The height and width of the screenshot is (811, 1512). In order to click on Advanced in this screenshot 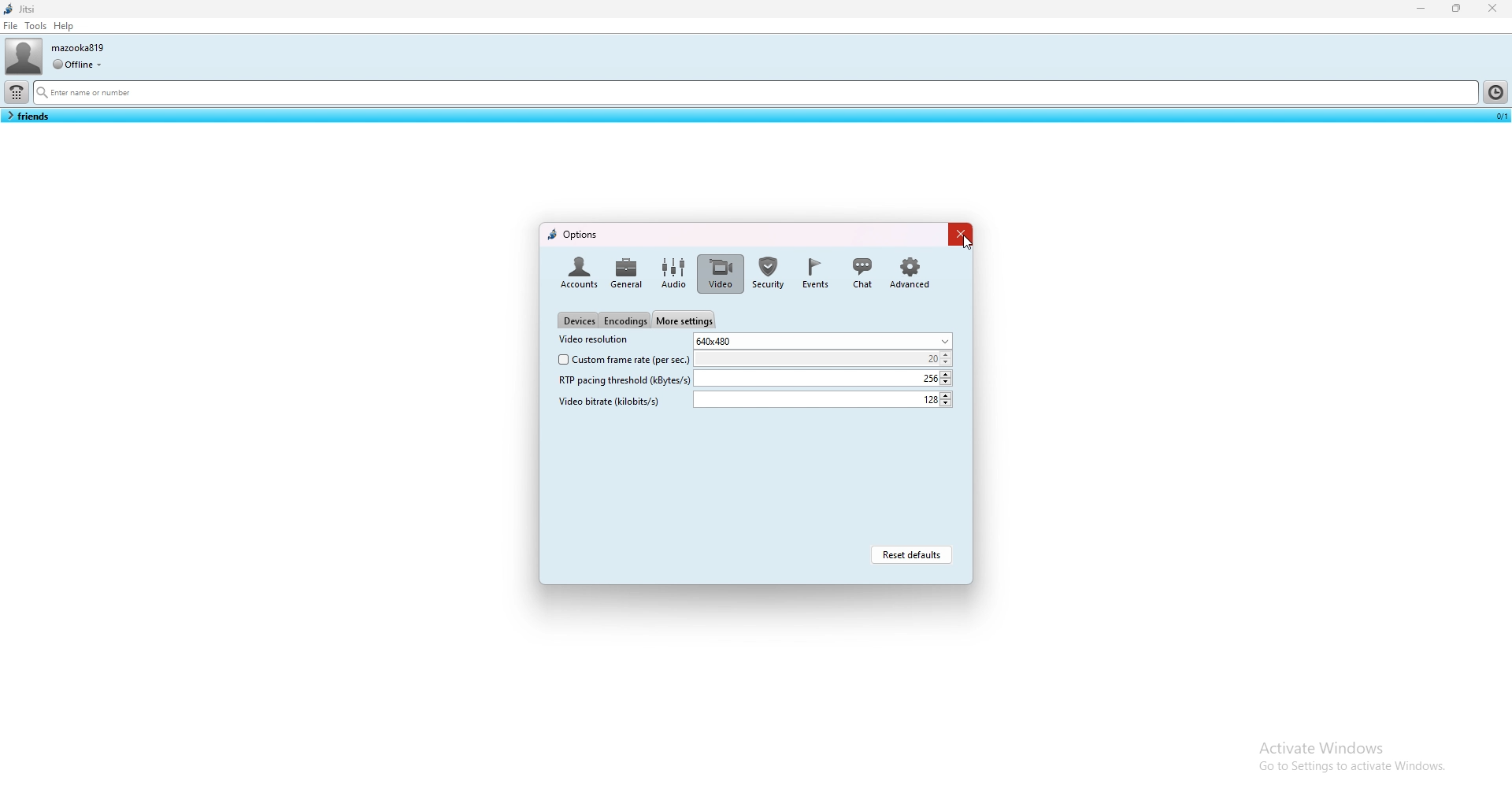, I will do `click(910, 271)`.